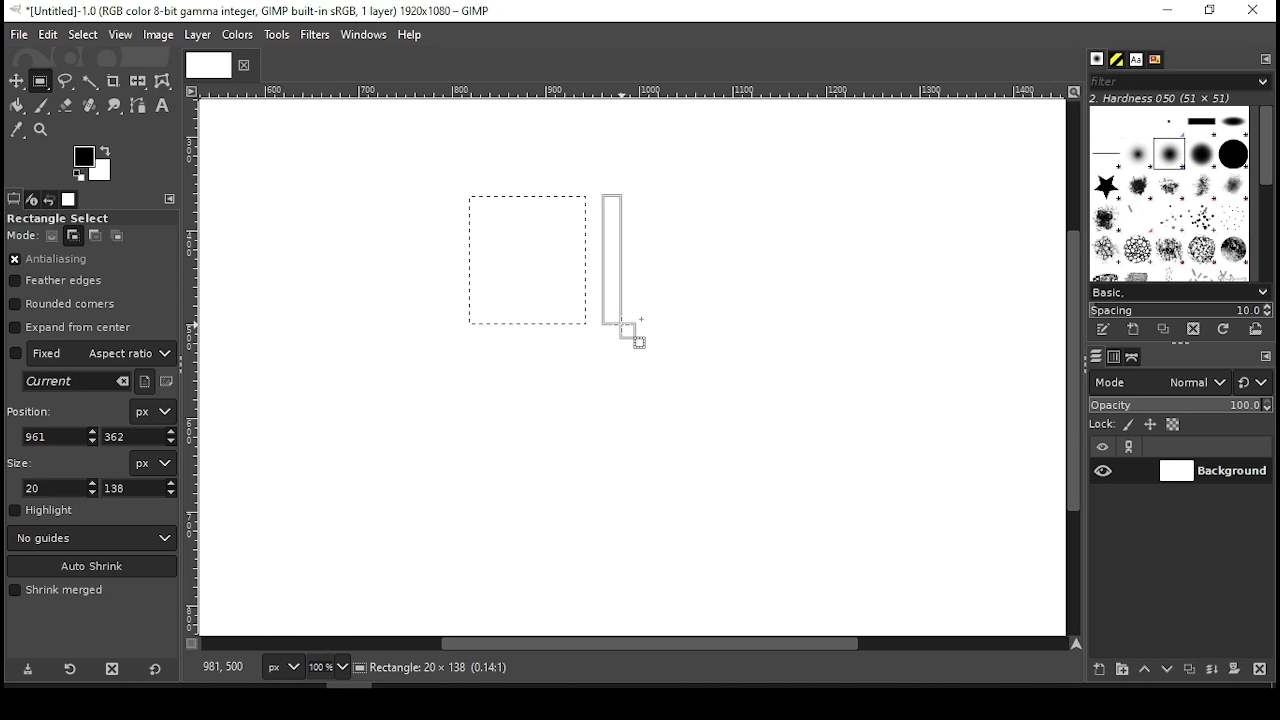  Describe the element at coordinates (1129, 447) in the screenshot. I see `link` at that location.